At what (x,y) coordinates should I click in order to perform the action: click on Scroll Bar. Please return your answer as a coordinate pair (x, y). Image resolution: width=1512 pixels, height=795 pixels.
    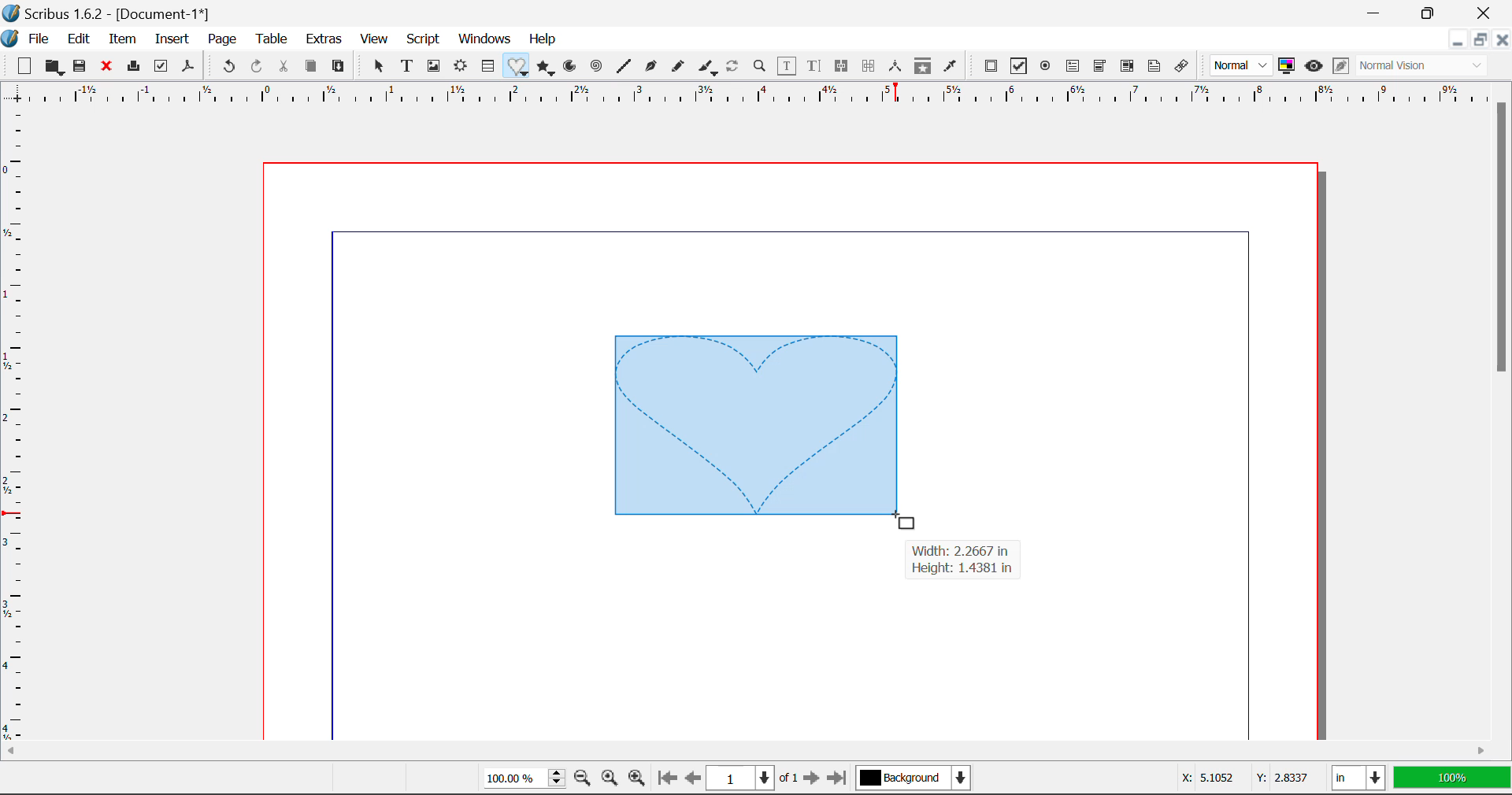
    Looking at the image, I should click on (1503, 407).